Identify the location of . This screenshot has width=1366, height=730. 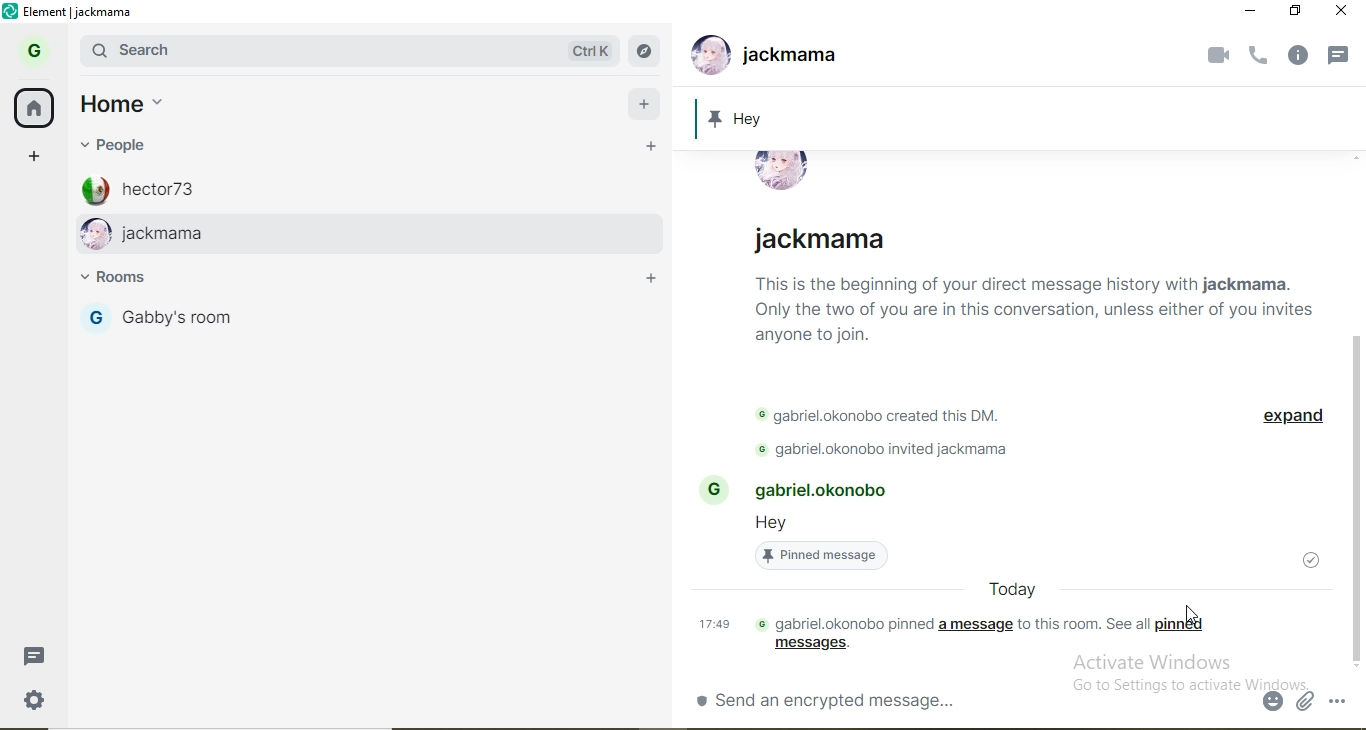
(1292, 417).